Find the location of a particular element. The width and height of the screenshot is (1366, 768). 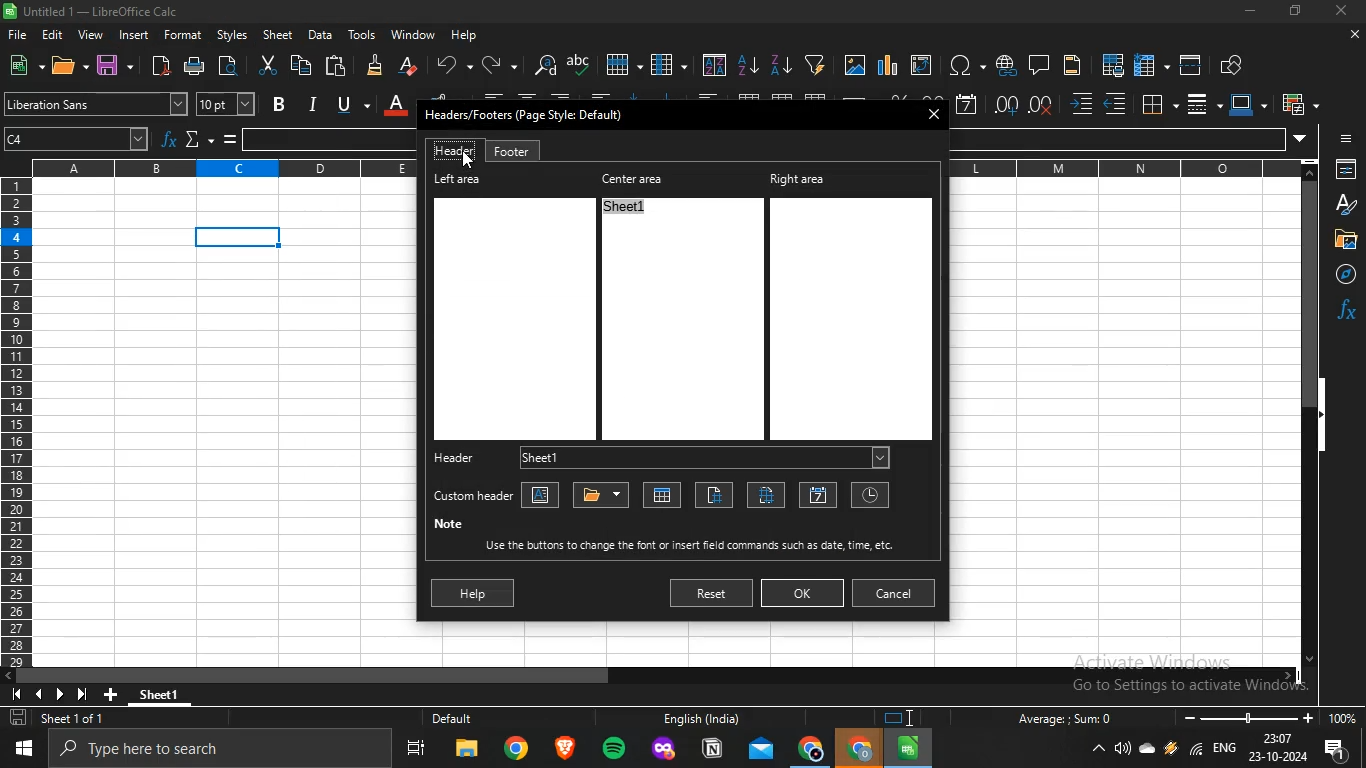

clear direct formatting is located at coordinates (409, 65).